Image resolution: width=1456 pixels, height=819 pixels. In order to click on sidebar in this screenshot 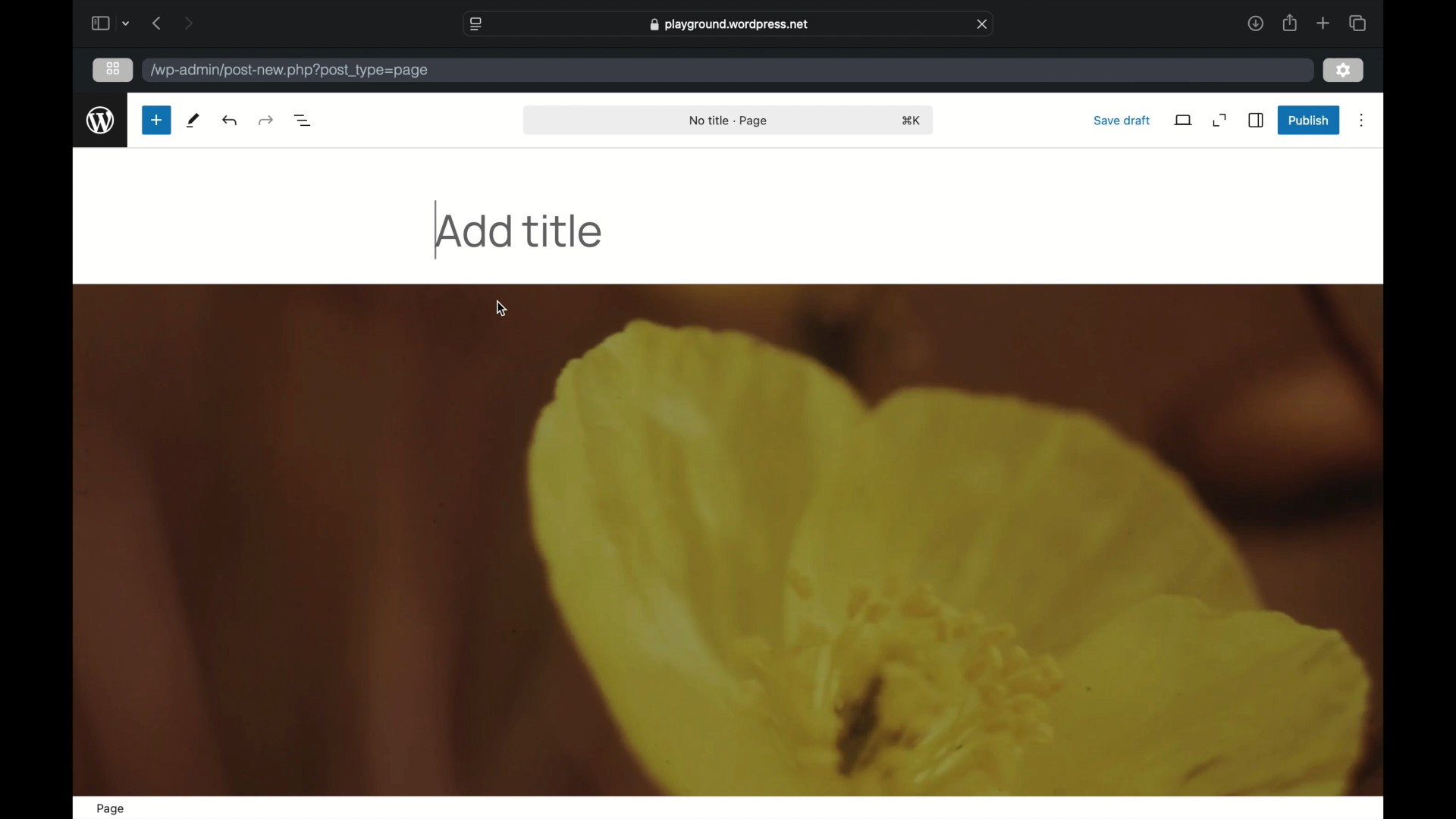, I will do `click(1255, 120)`.